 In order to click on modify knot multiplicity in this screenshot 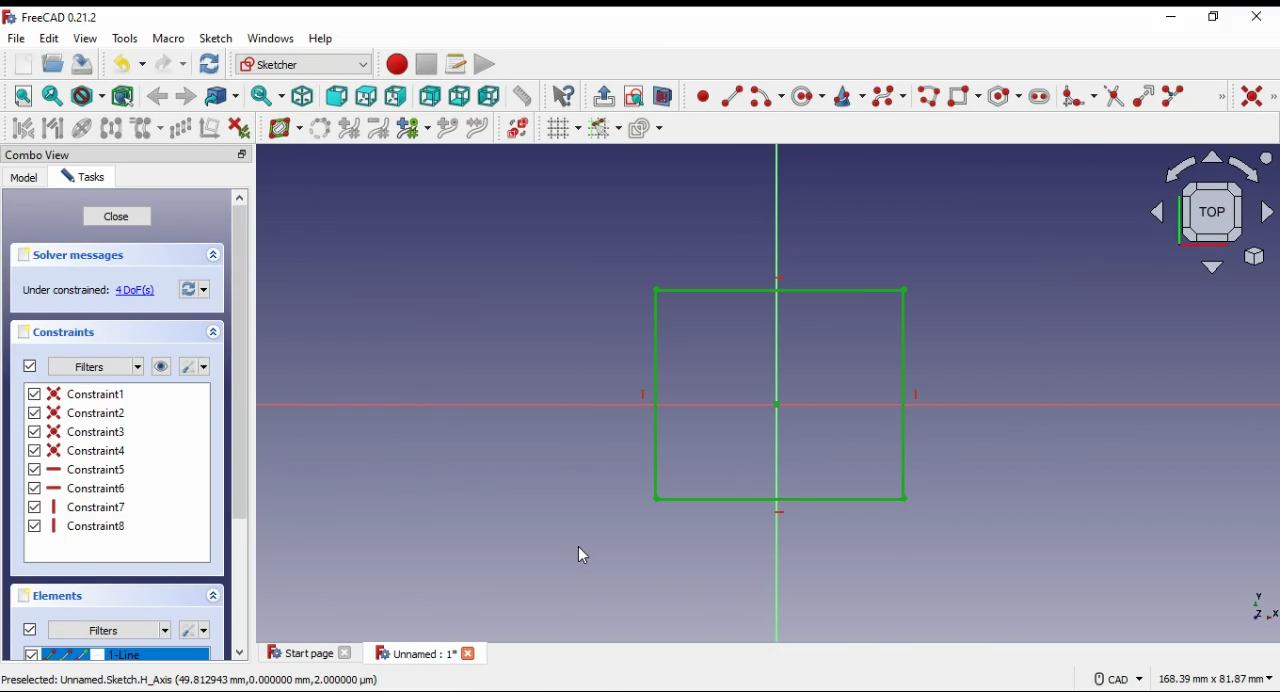, I will do `click(413, 127)`.